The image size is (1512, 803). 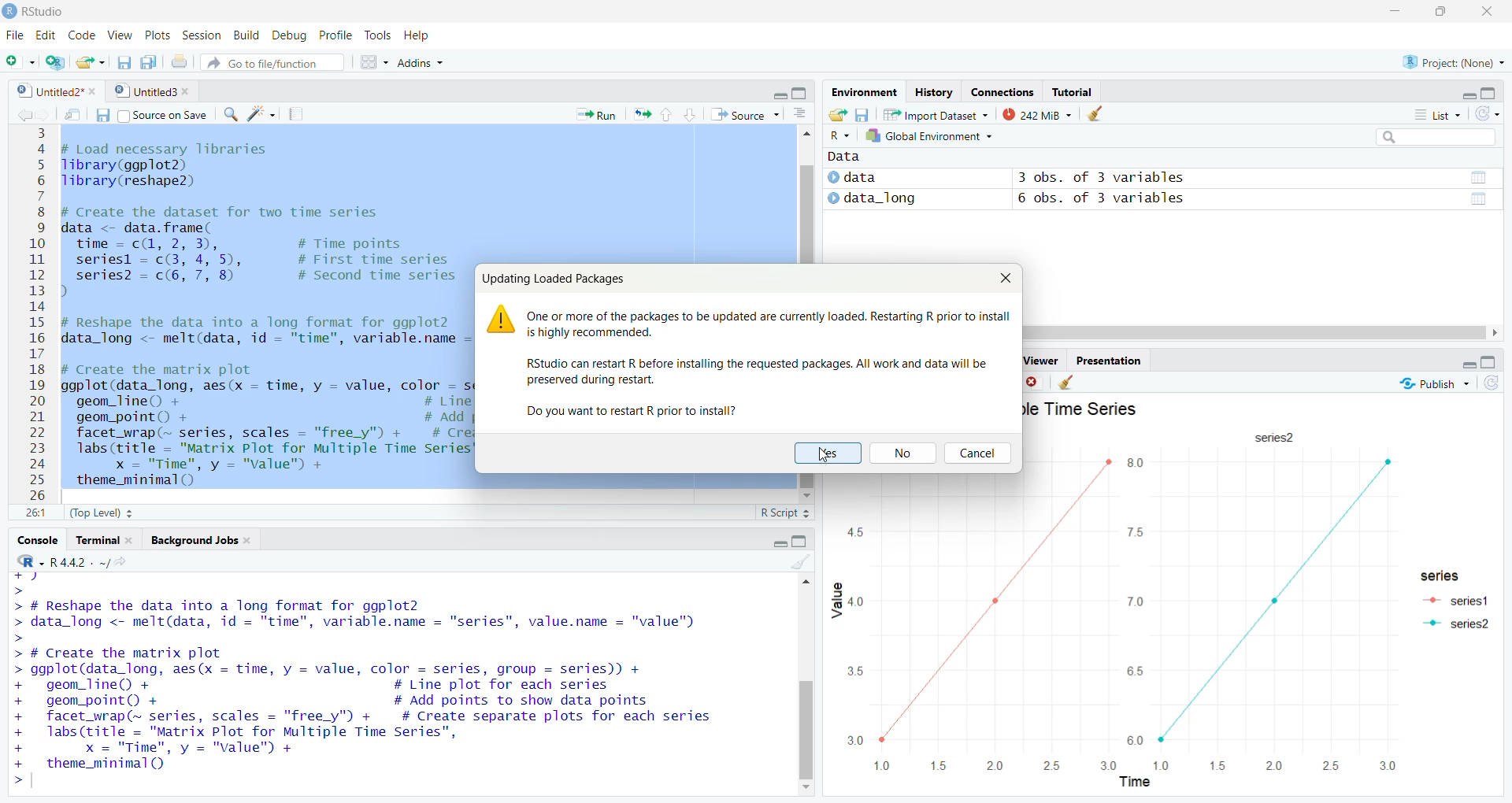 What do you see at coordinates (1073, 92) in the screenshot?
I see `Tutorial` at bounding box center [1073, 92].